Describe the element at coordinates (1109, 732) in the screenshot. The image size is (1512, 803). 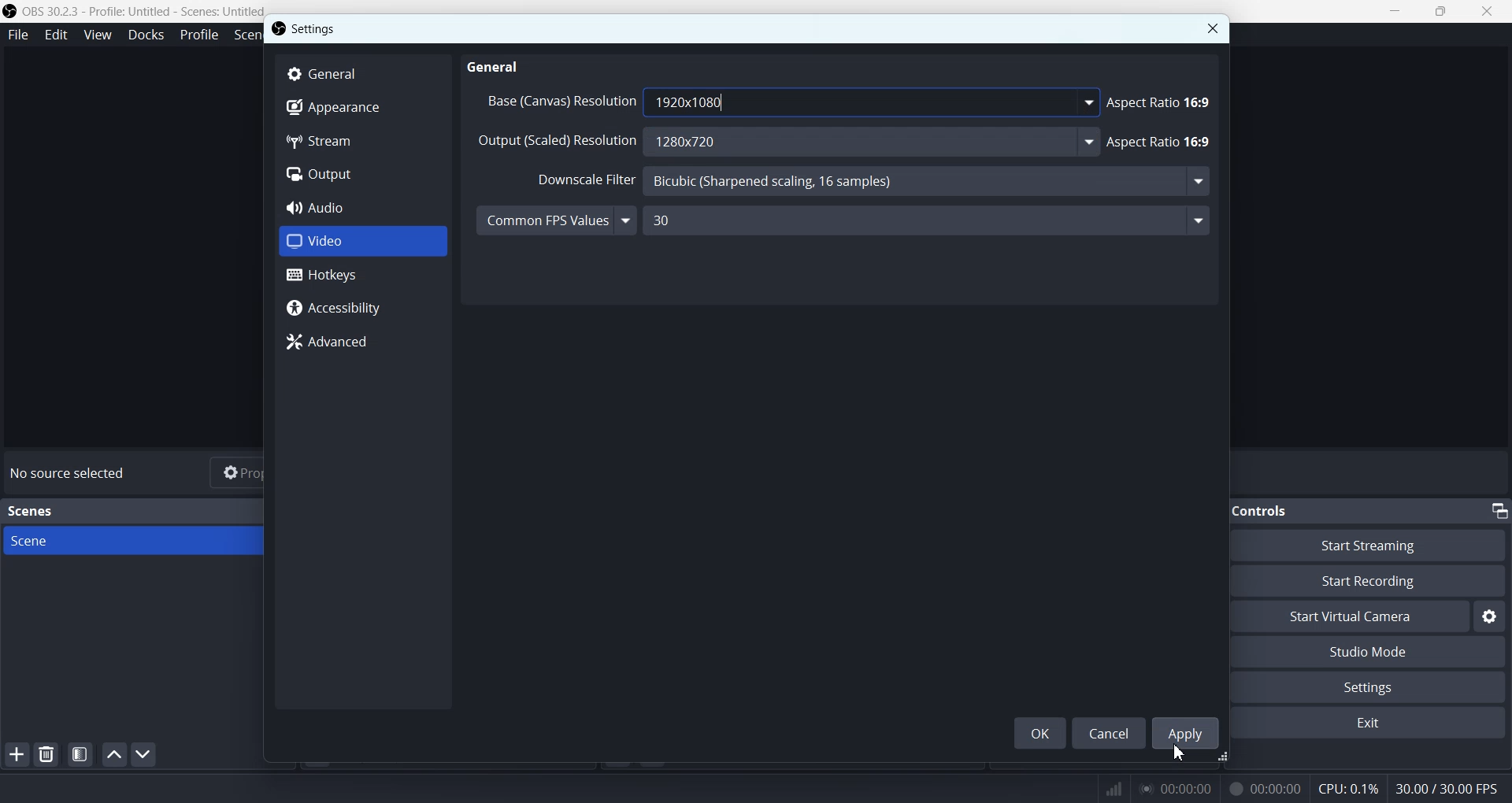
I see `Cancel` at that location.